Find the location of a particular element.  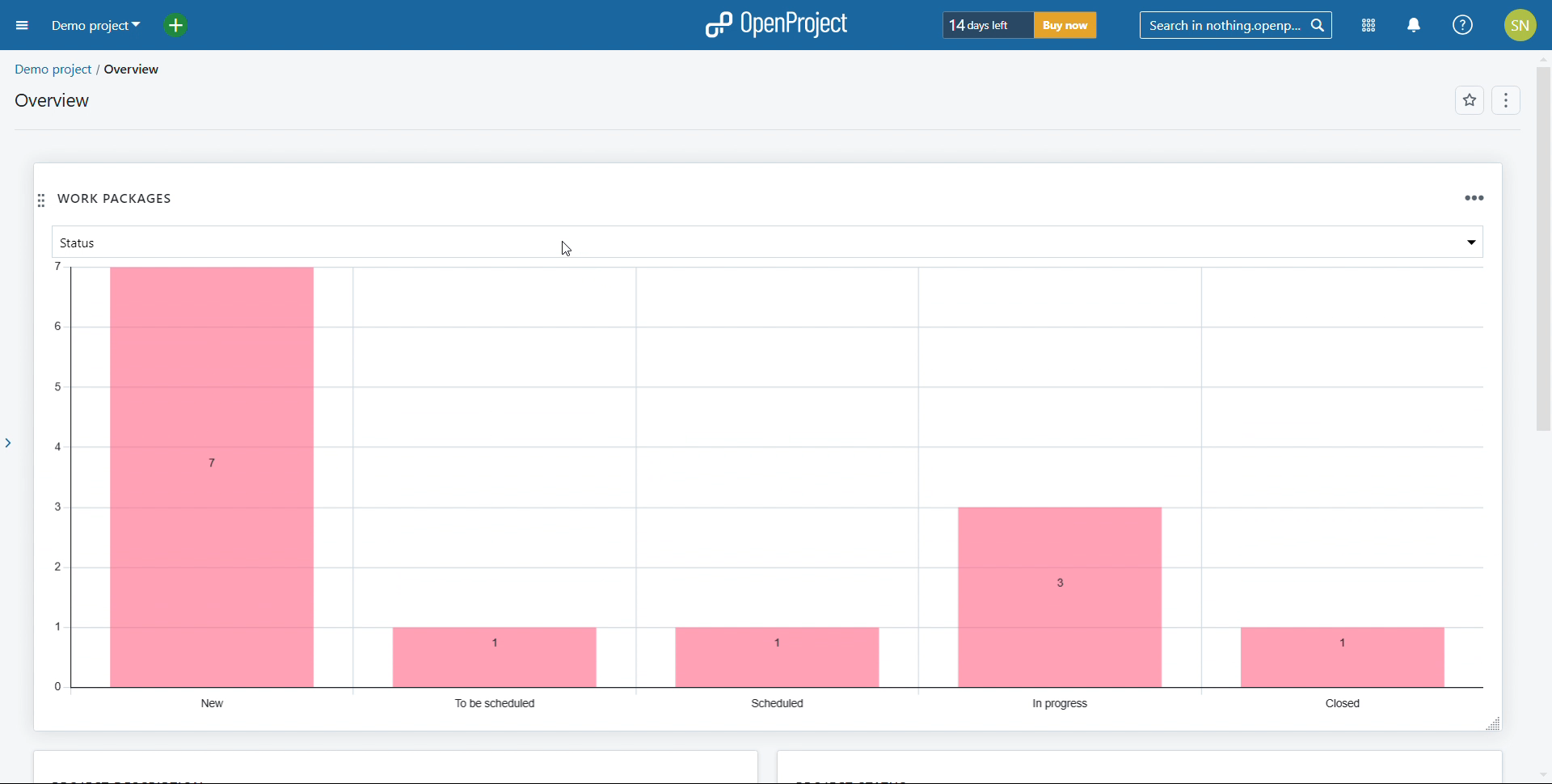

account is located at coordinates (1520, 24).